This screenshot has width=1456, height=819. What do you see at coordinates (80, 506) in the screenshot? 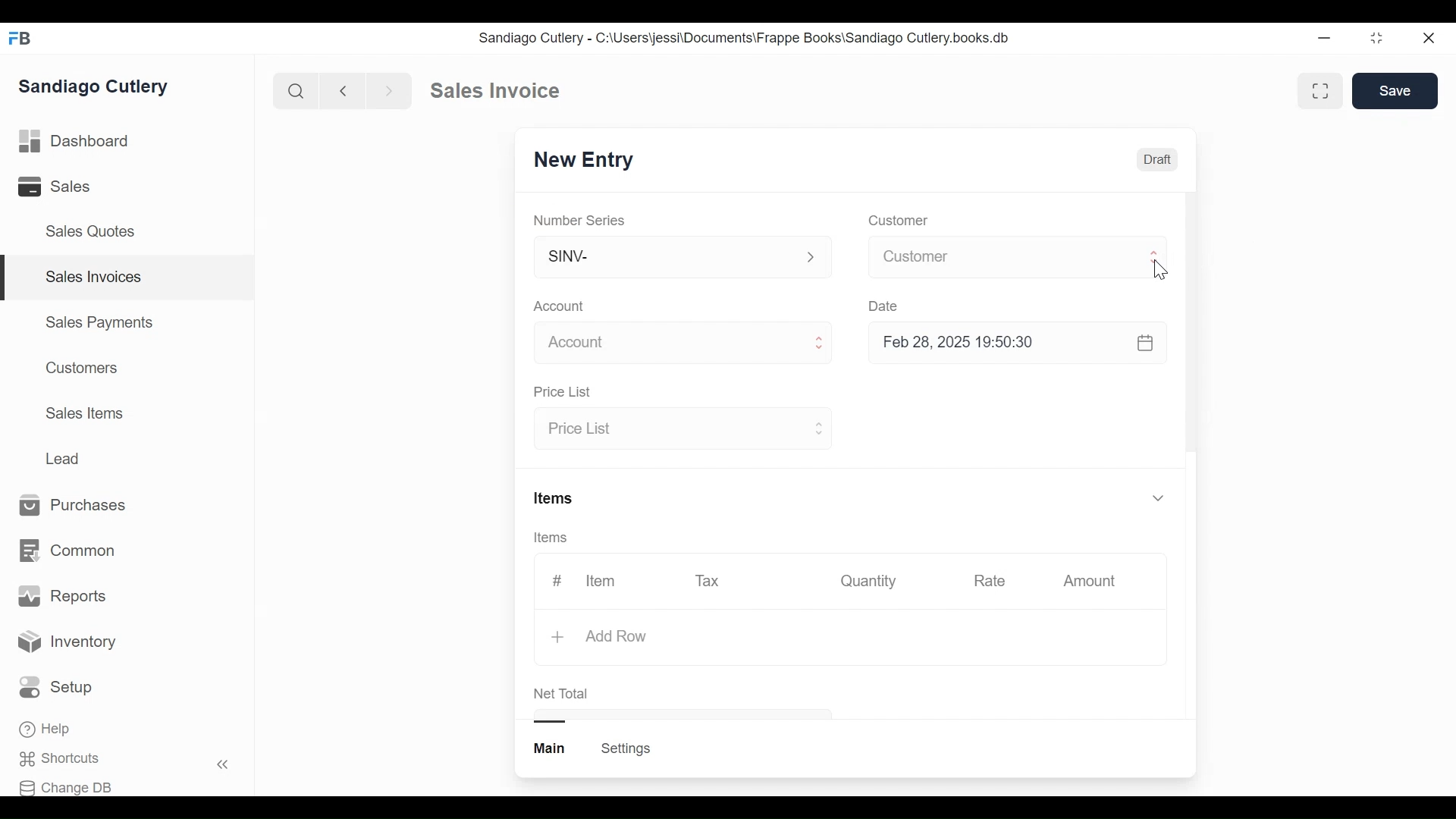
I see `Purchases` at bounding box center [80, 506].